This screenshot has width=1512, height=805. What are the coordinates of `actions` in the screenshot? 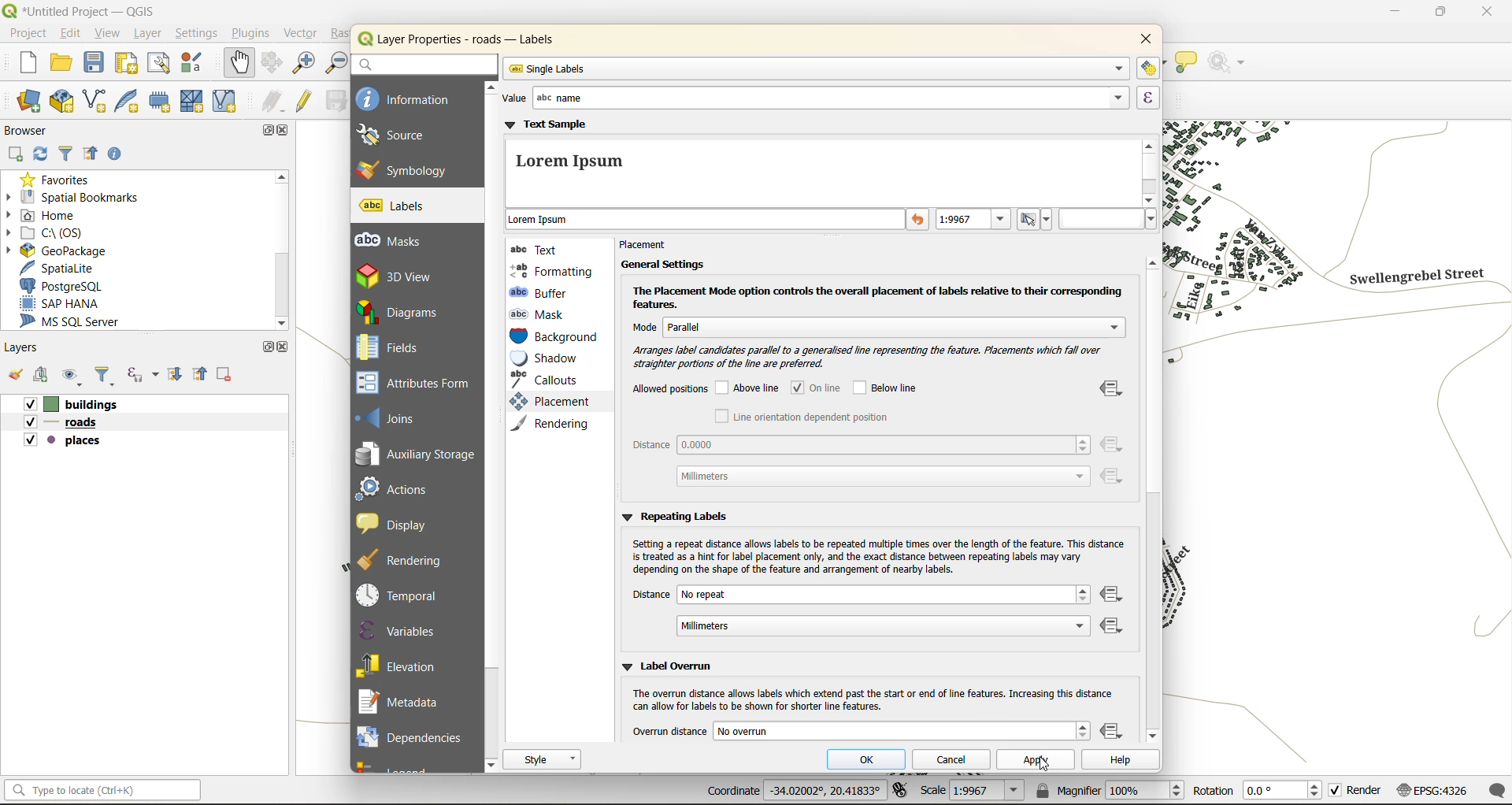 It's located at (402, 488).